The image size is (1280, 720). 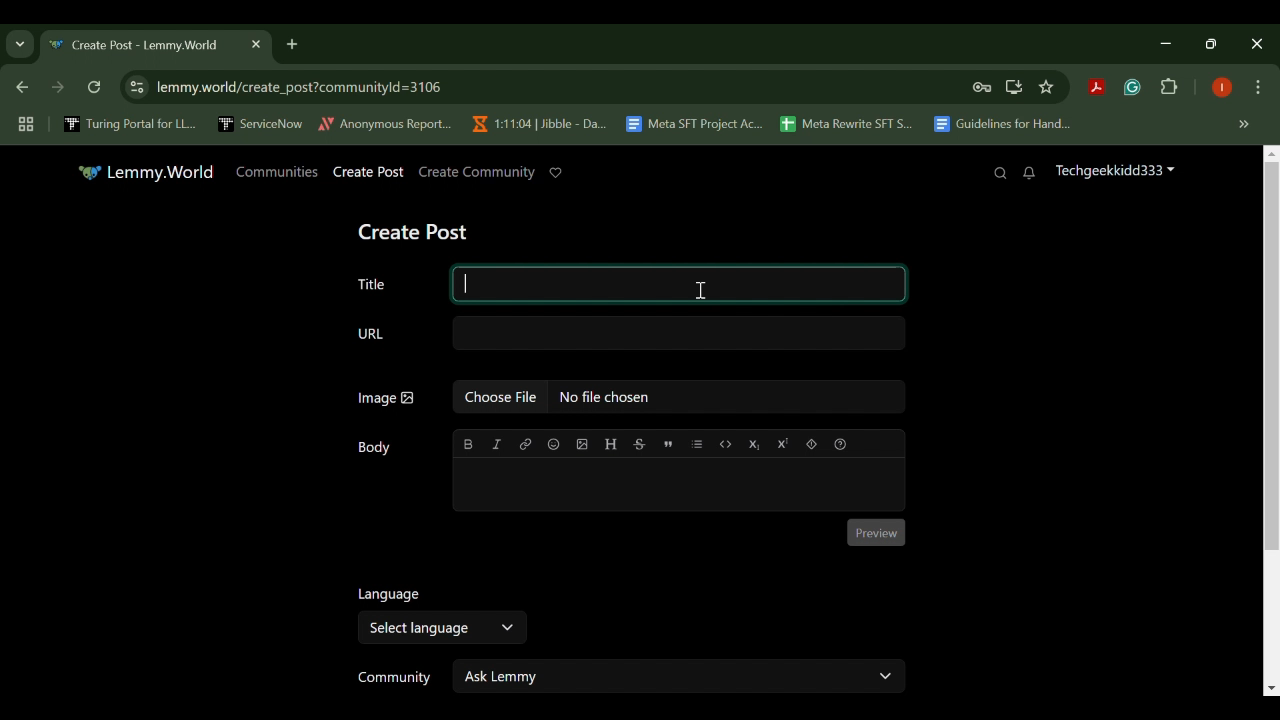 I want to click on link, so click(x=526, y=444).